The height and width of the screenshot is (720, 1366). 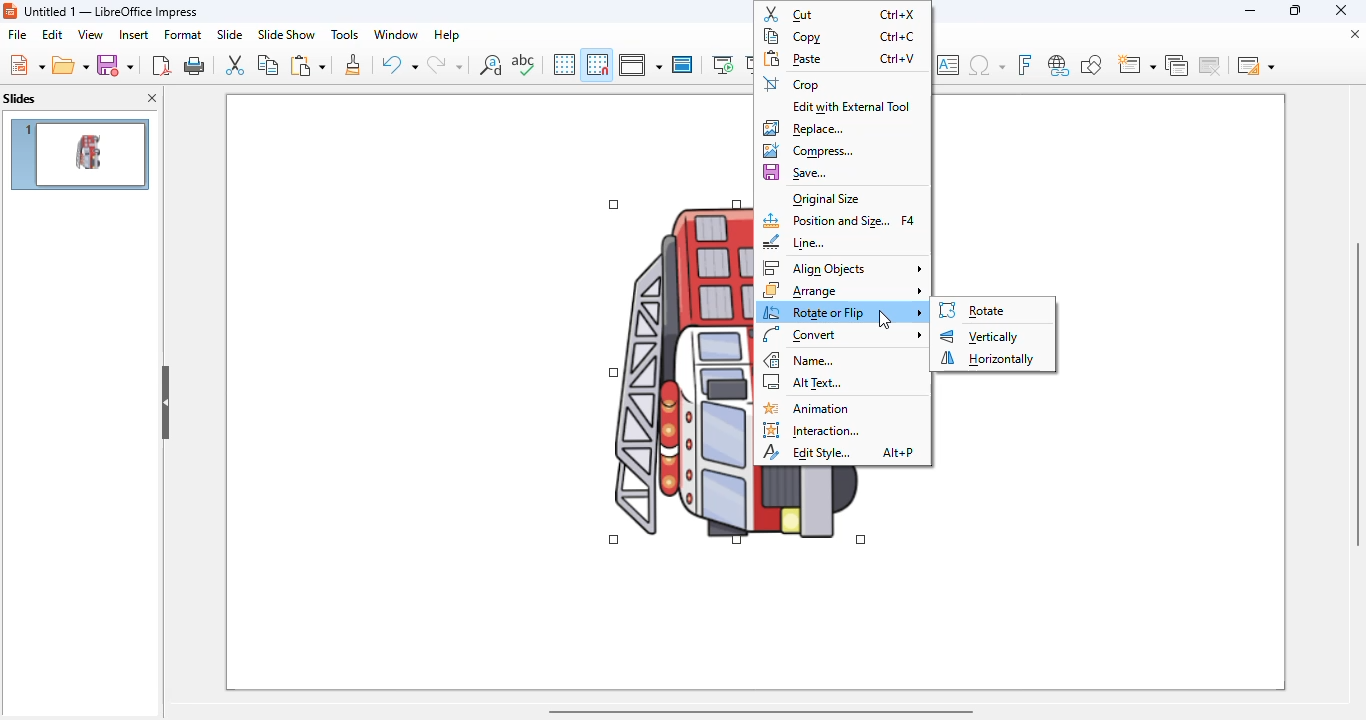 What do you see at coordinates (397, 34) in the screenshot?
I see `window` at bounding box center [397, 34].